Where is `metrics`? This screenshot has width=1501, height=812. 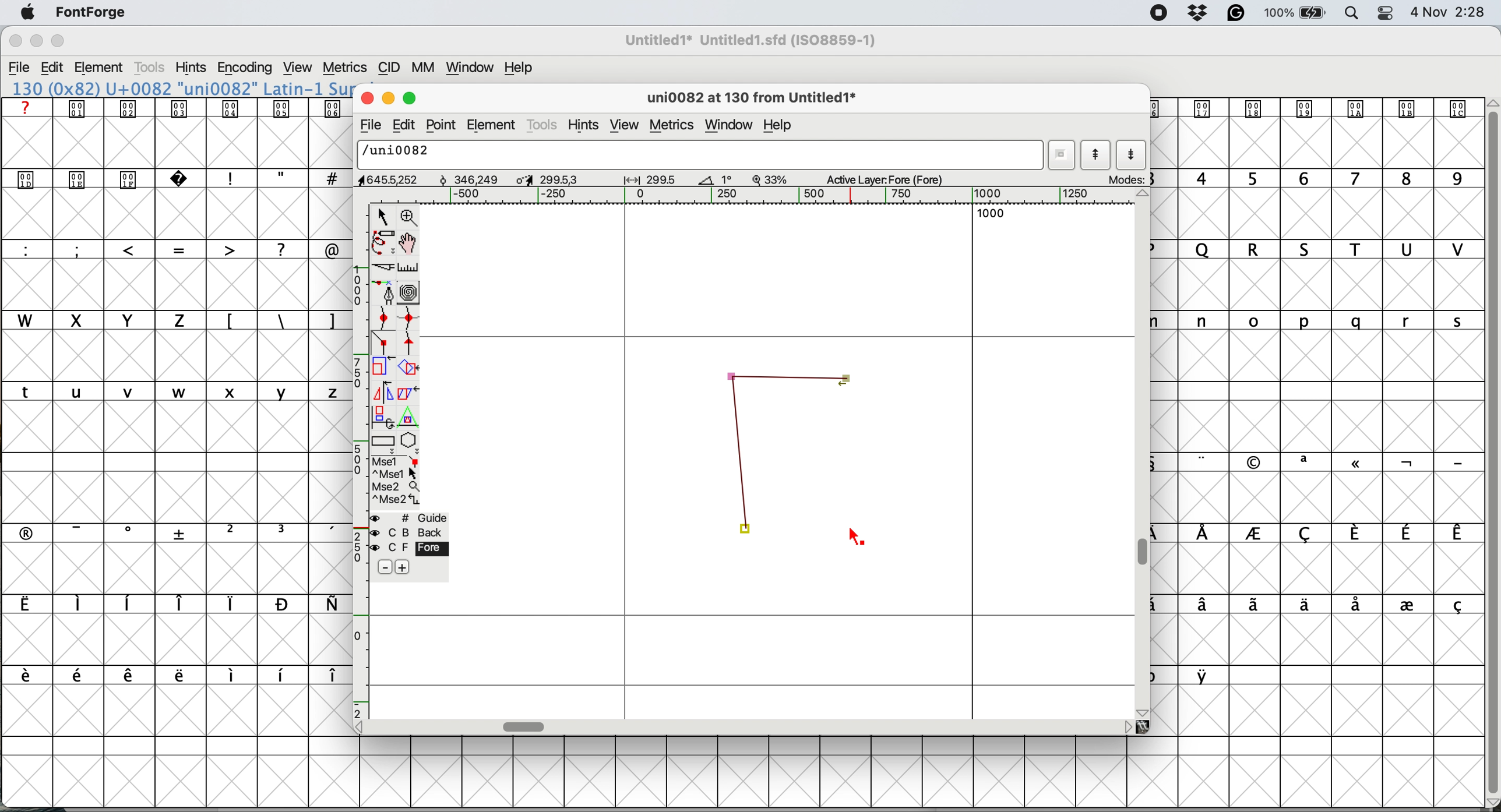
metrics is located at coordinates (344, 68).